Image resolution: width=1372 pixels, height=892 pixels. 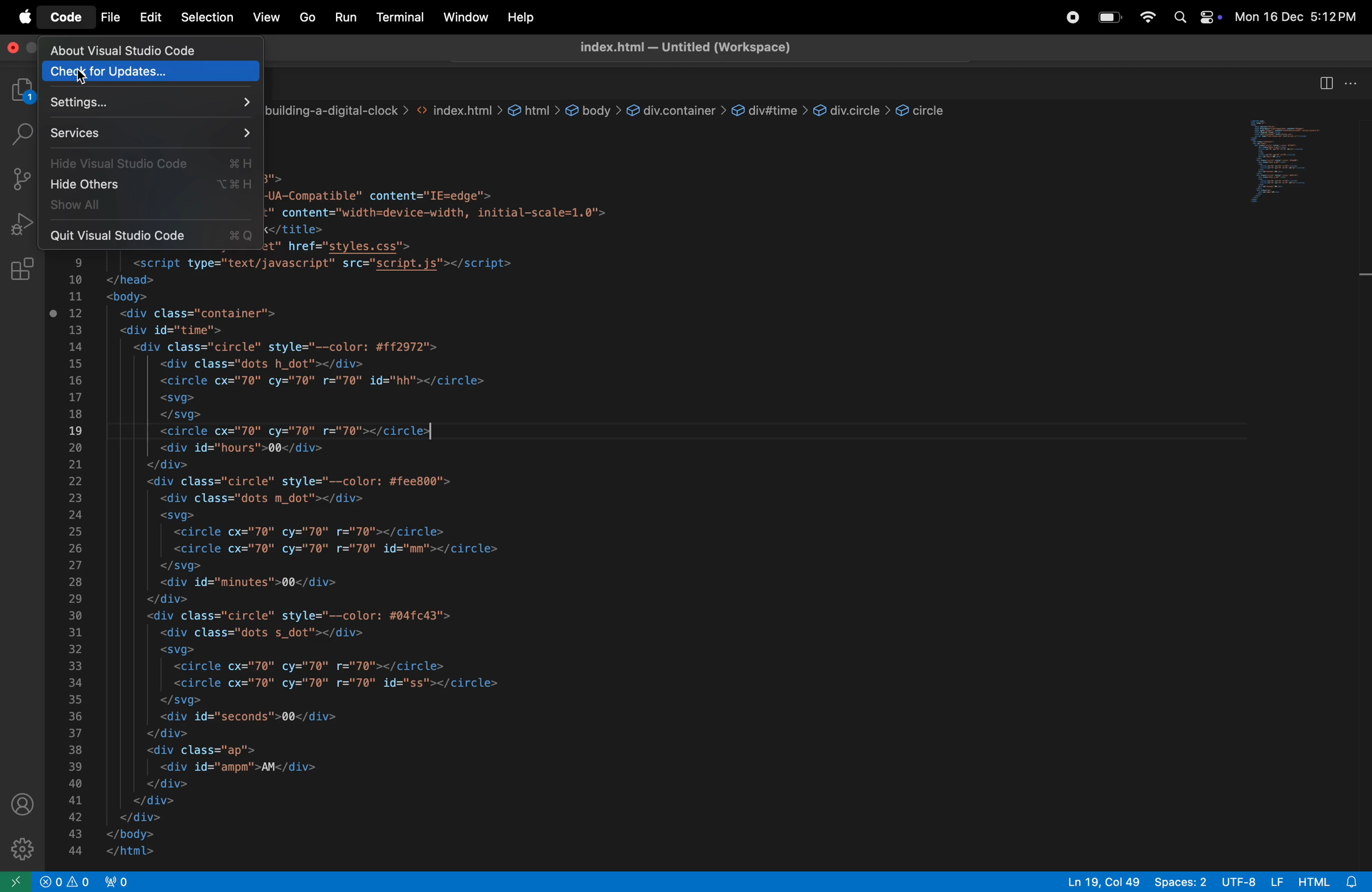 What do you see at coordinates (696, 48) in the screenshot?
I see `index title- untitled workspace` at bounding box center [696, 48].